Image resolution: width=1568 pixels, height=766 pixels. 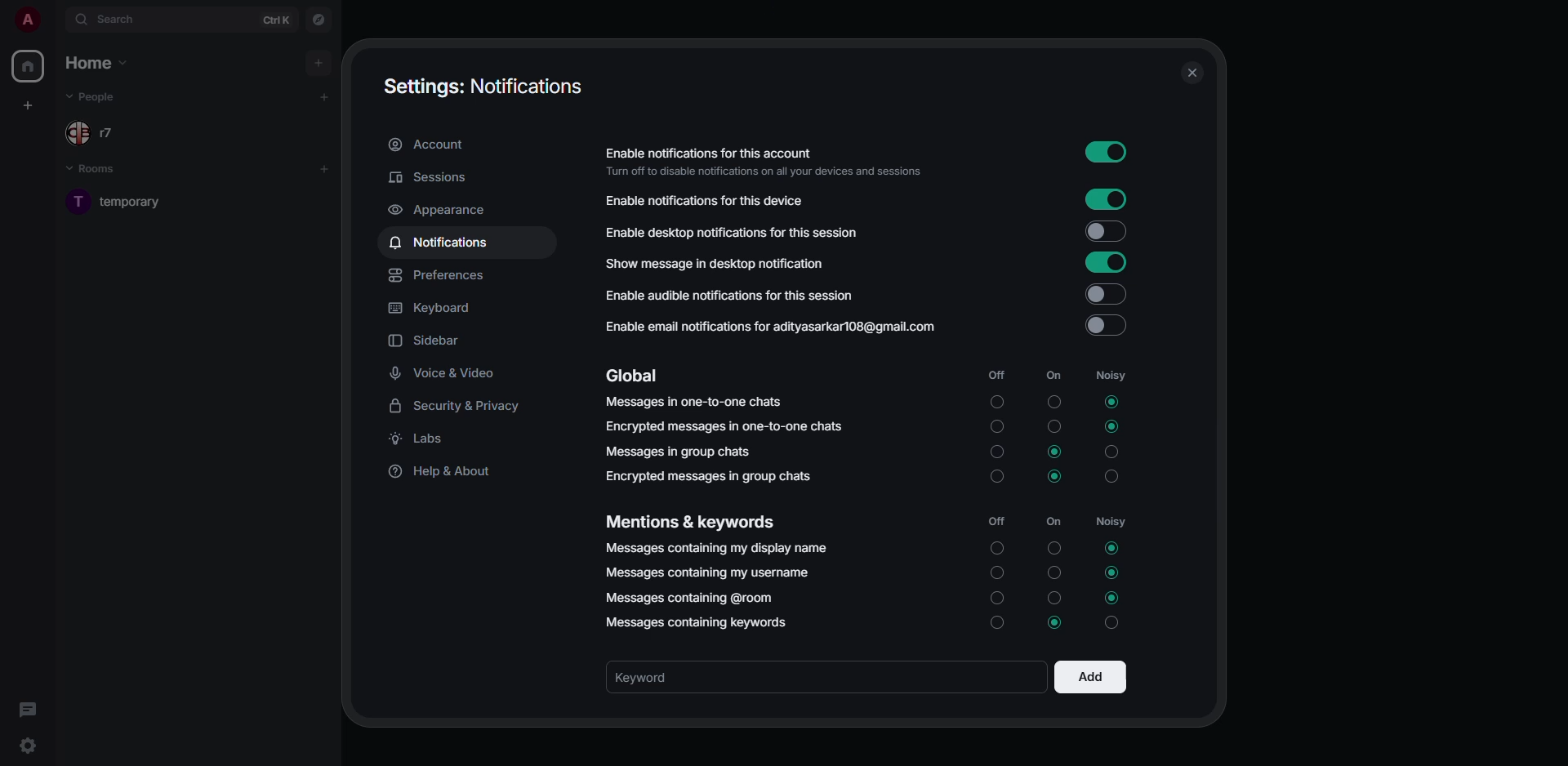 I want to click on selected, so click(x=1052, y=479).